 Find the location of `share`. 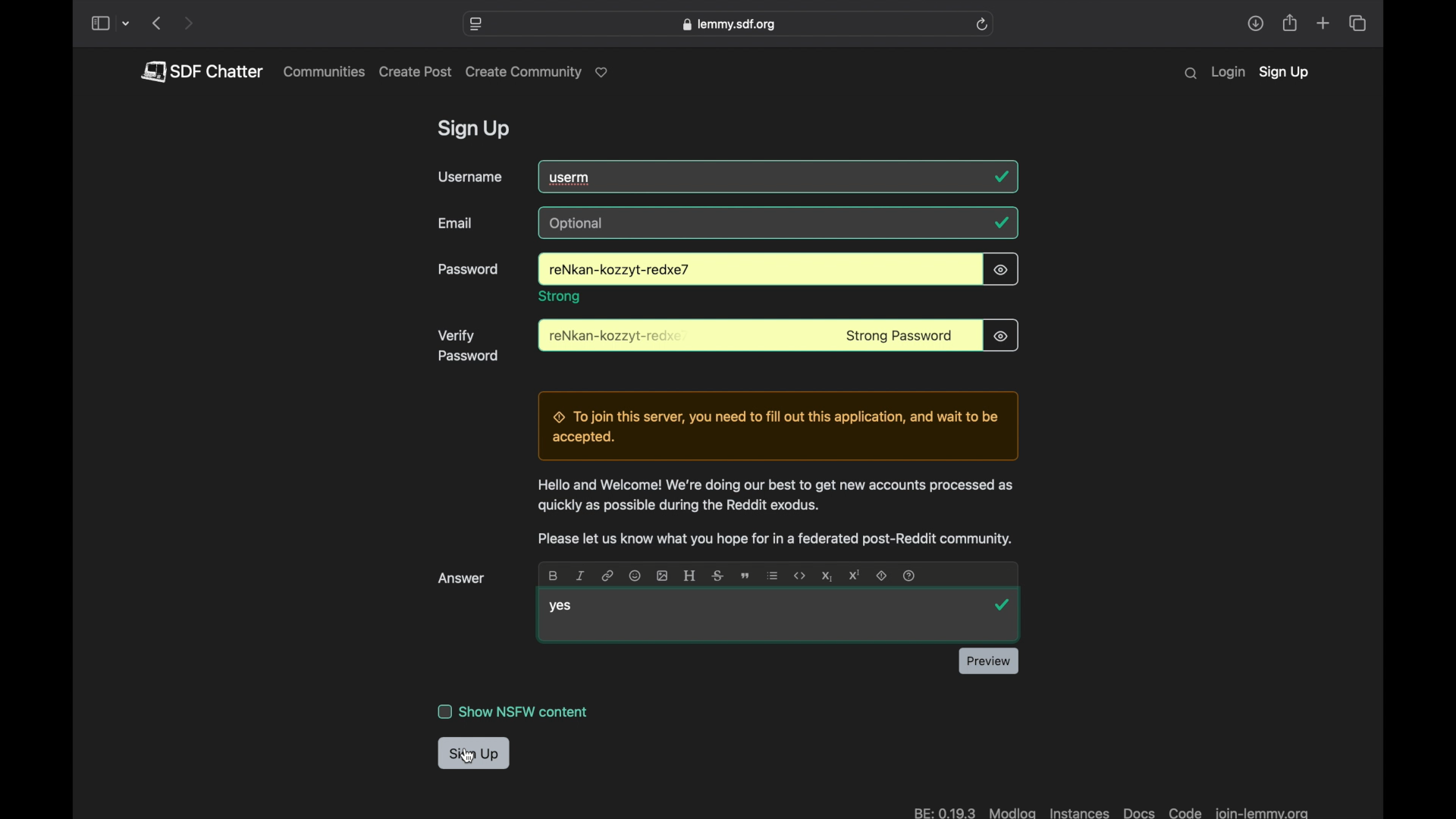

share is located at coordinates (1255, 24).